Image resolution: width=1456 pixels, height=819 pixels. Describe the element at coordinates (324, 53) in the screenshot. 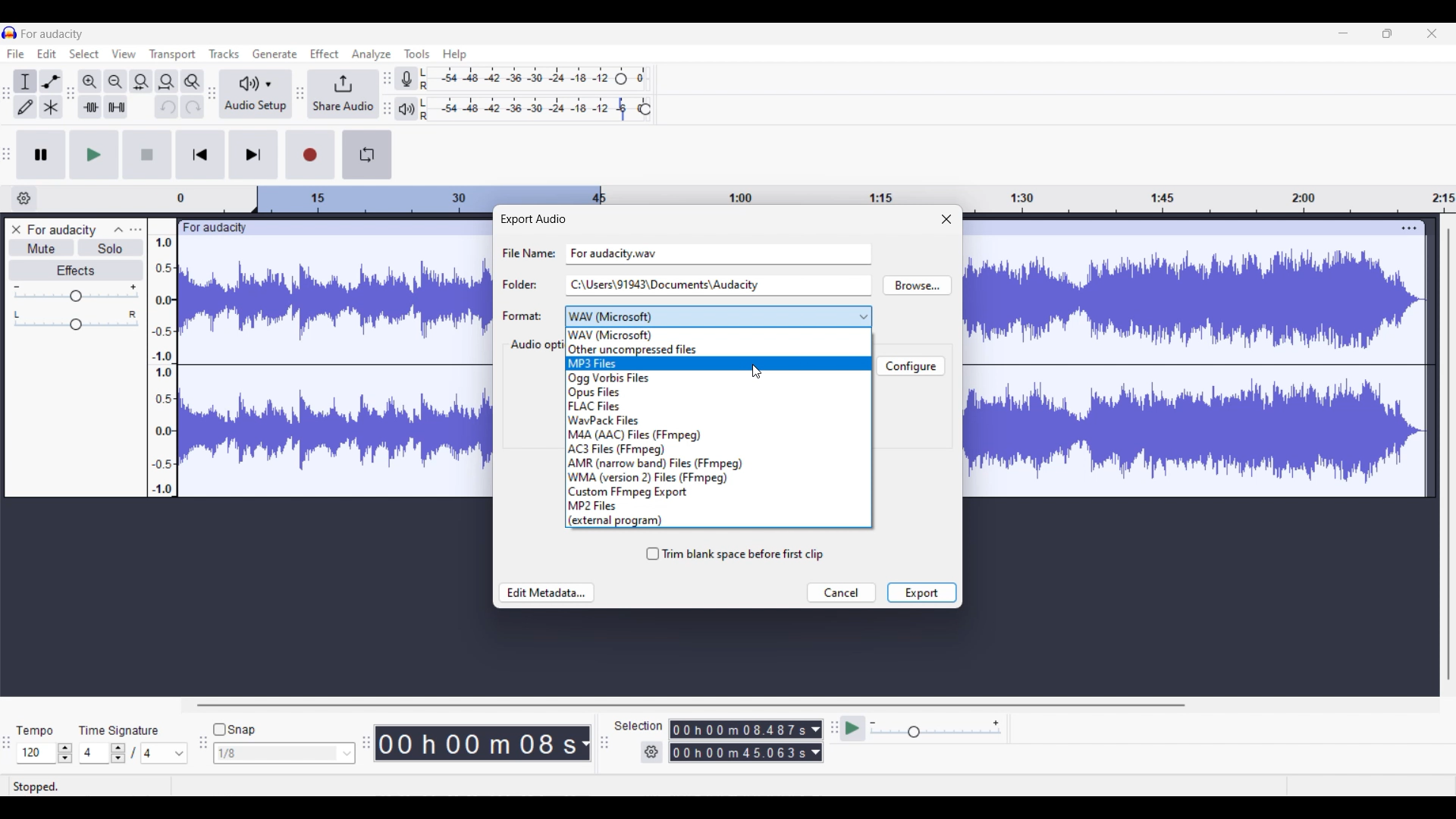

I see `Effect menu` at that location.